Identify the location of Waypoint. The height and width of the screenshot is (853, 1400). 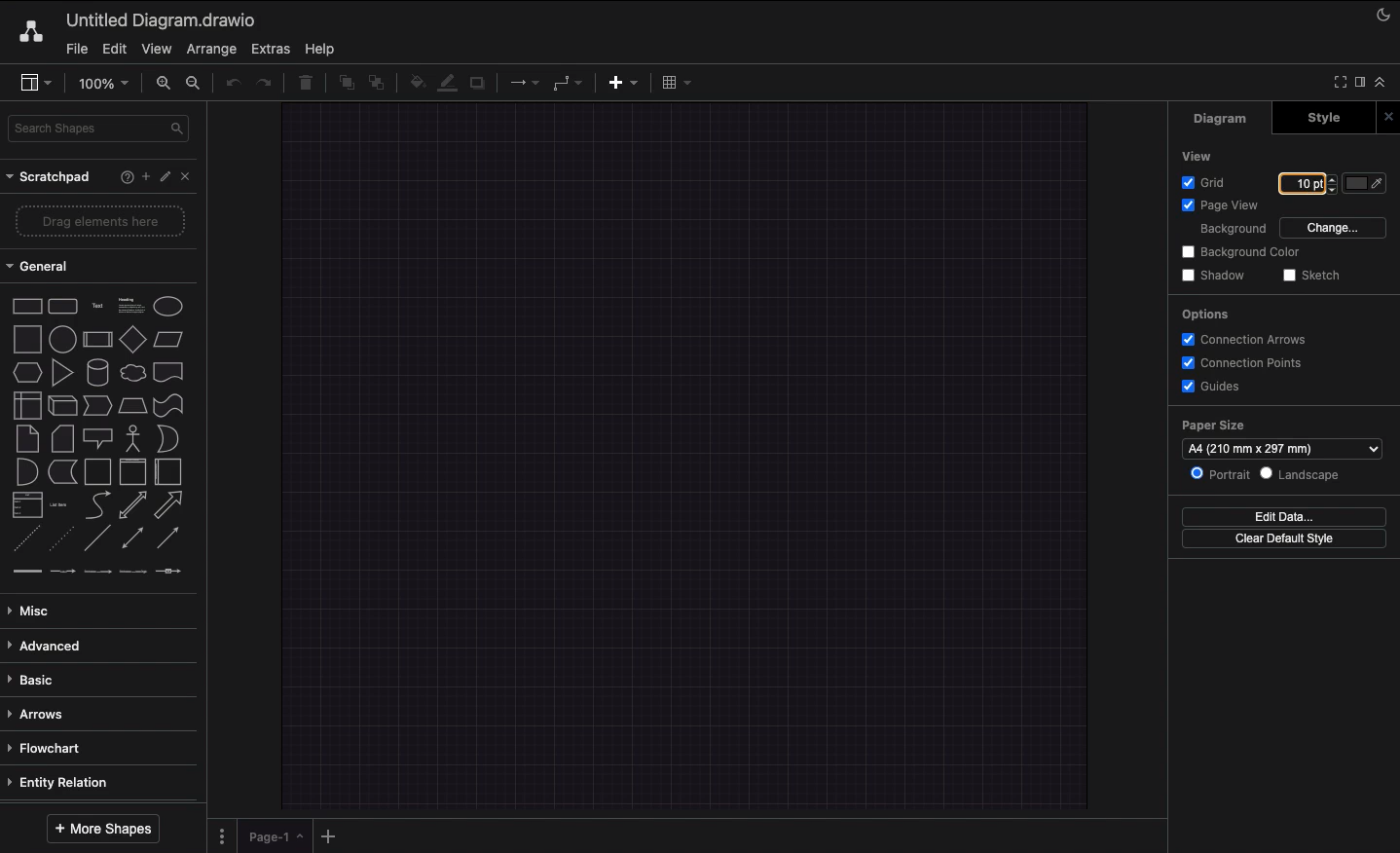
(568, 82).